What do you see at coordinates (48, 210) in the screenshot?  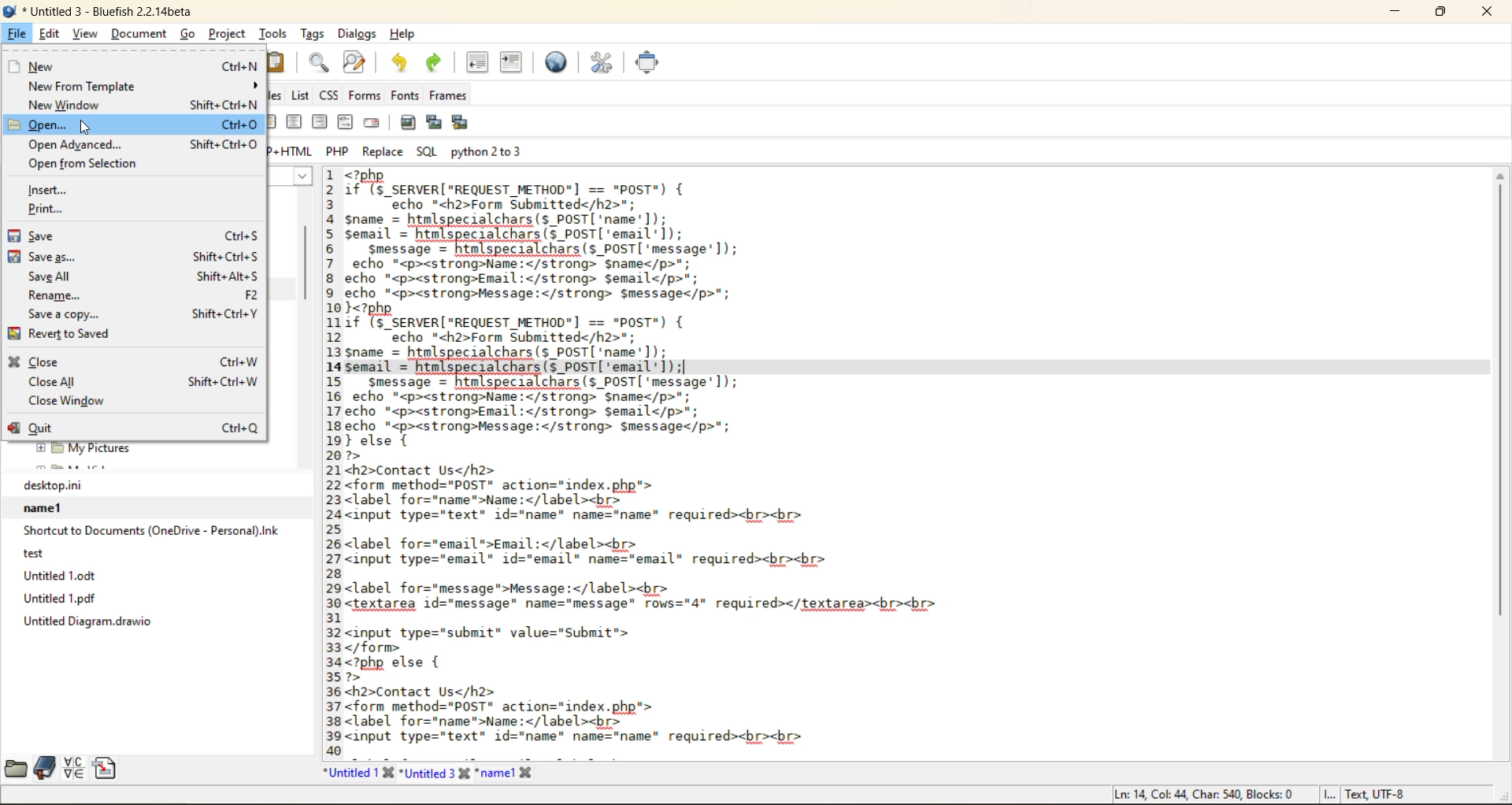 I see `print` at bounding box center [48, 210].